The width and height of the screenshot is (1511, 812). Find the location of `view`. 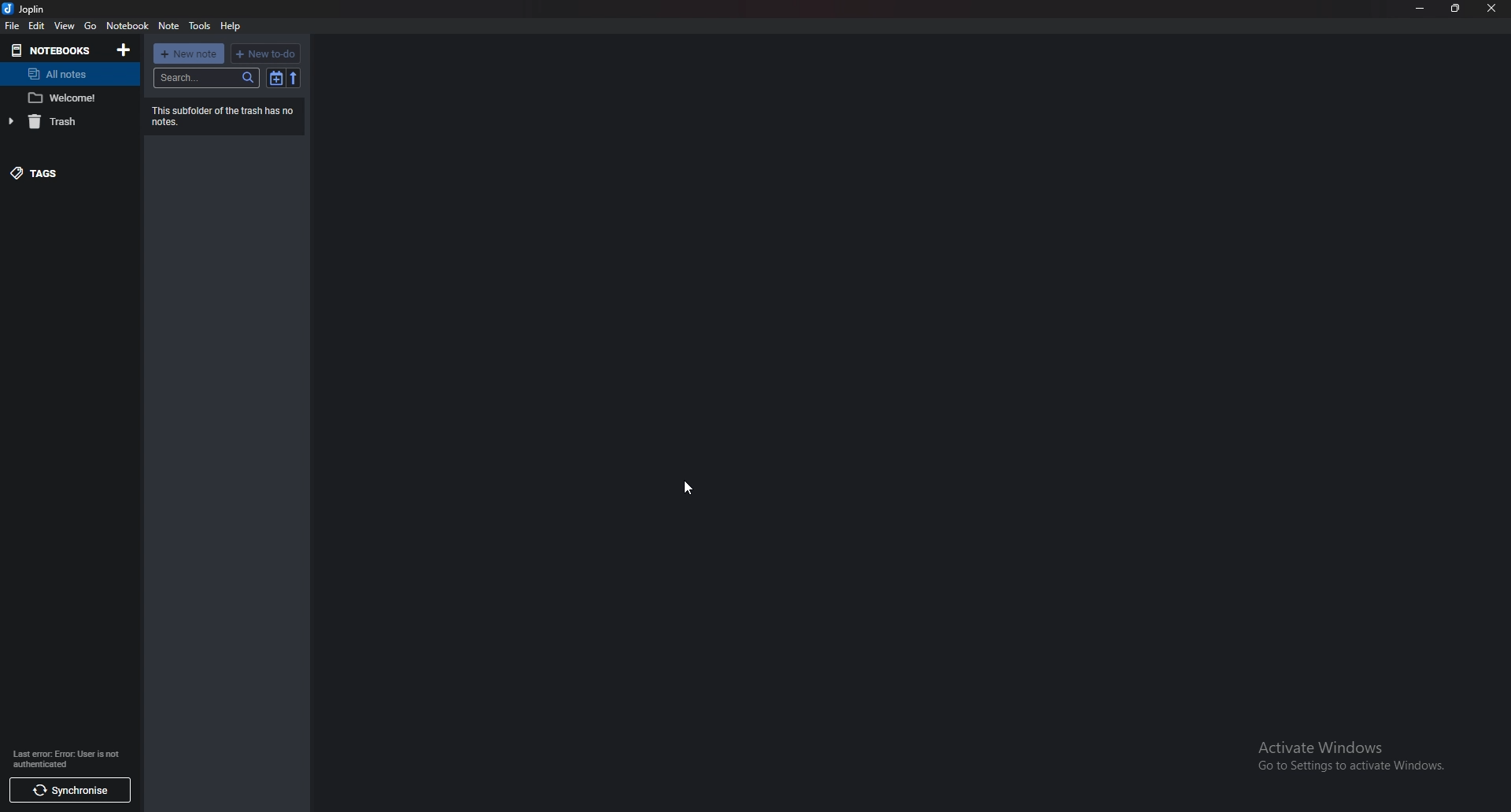

view is located at coordinates (65, 26).